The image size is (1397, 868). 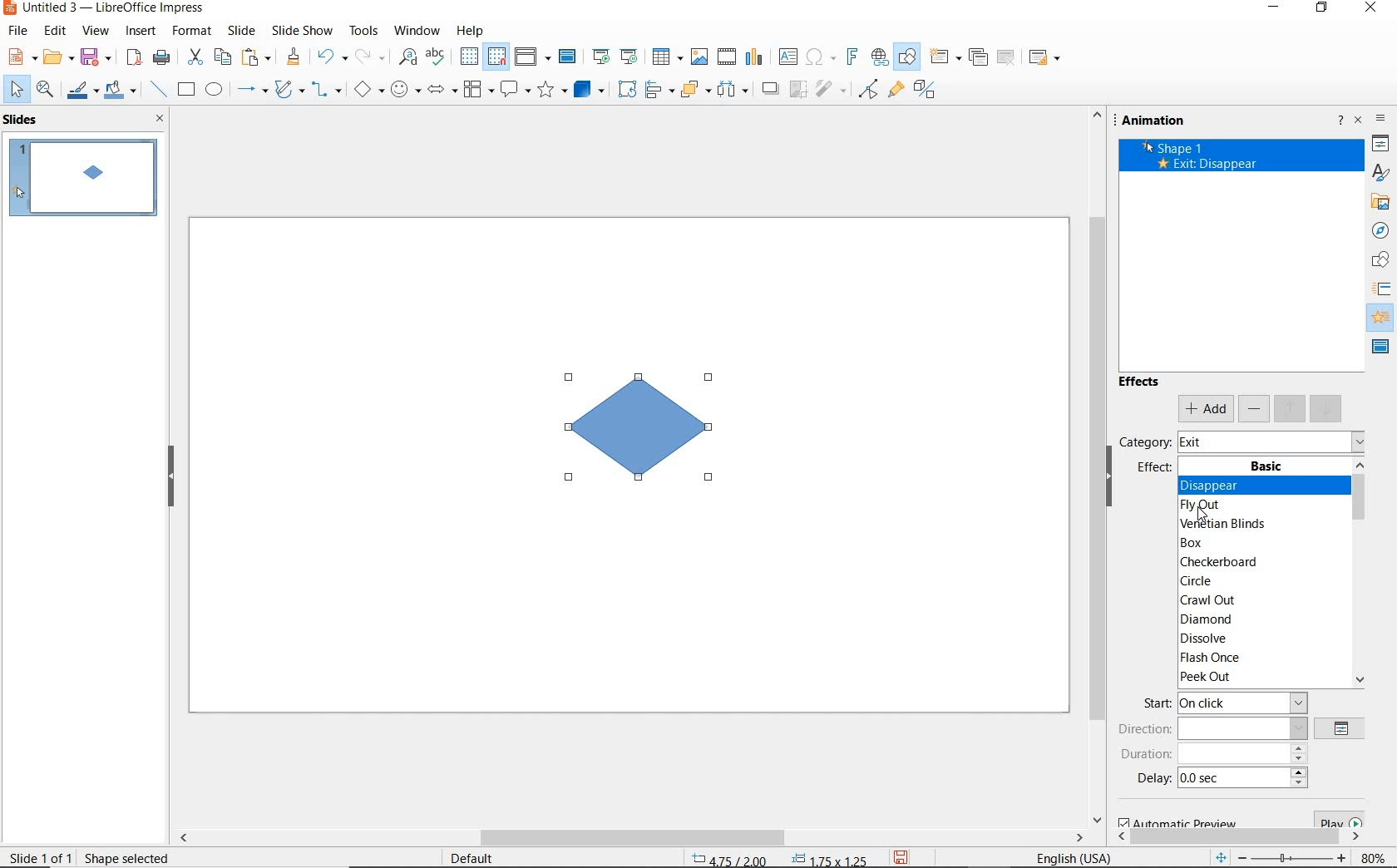 I want to click on hide, so click(x=1109, y=477).